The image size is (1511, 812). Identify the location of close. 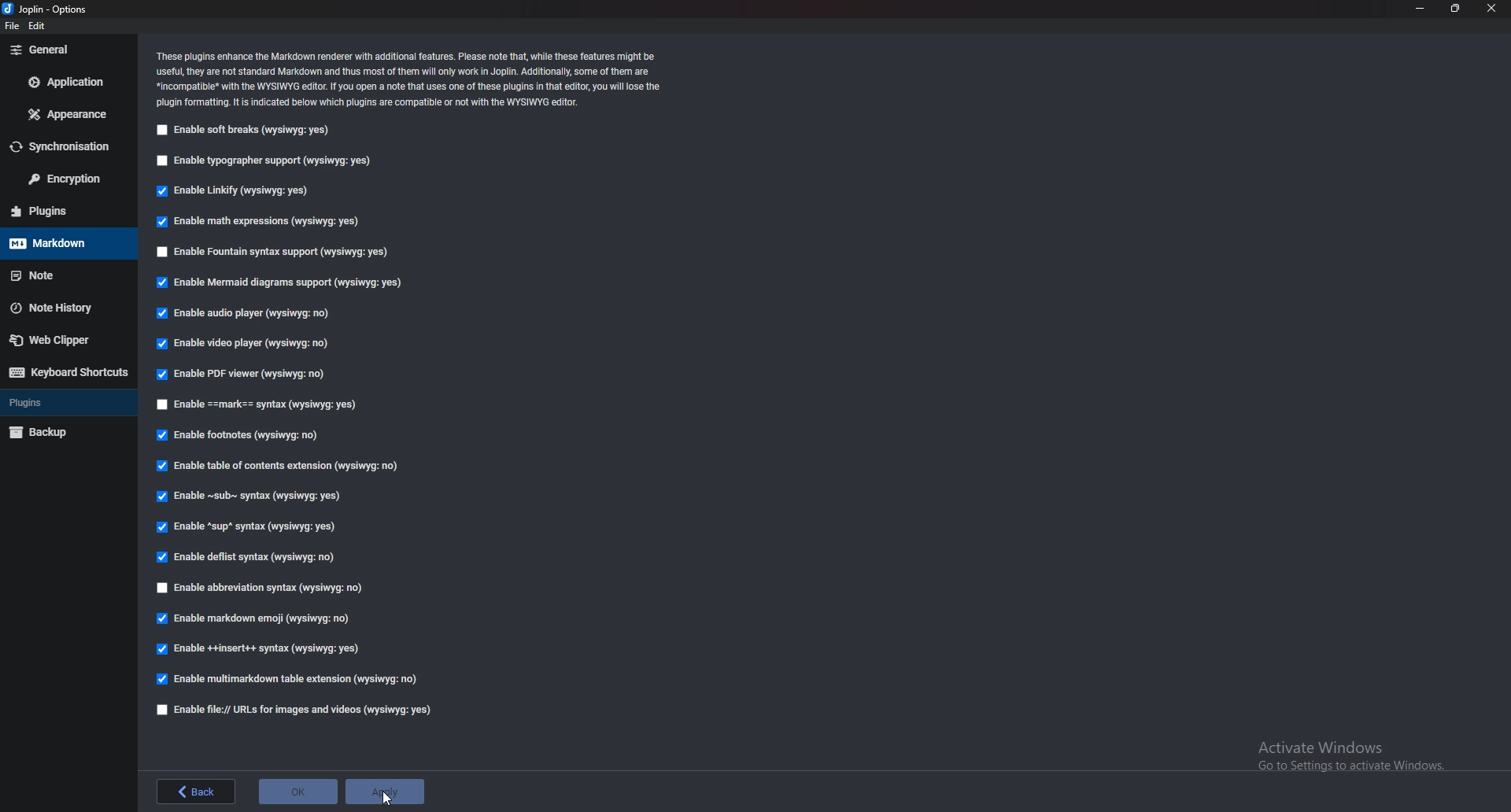
(1492, 9).